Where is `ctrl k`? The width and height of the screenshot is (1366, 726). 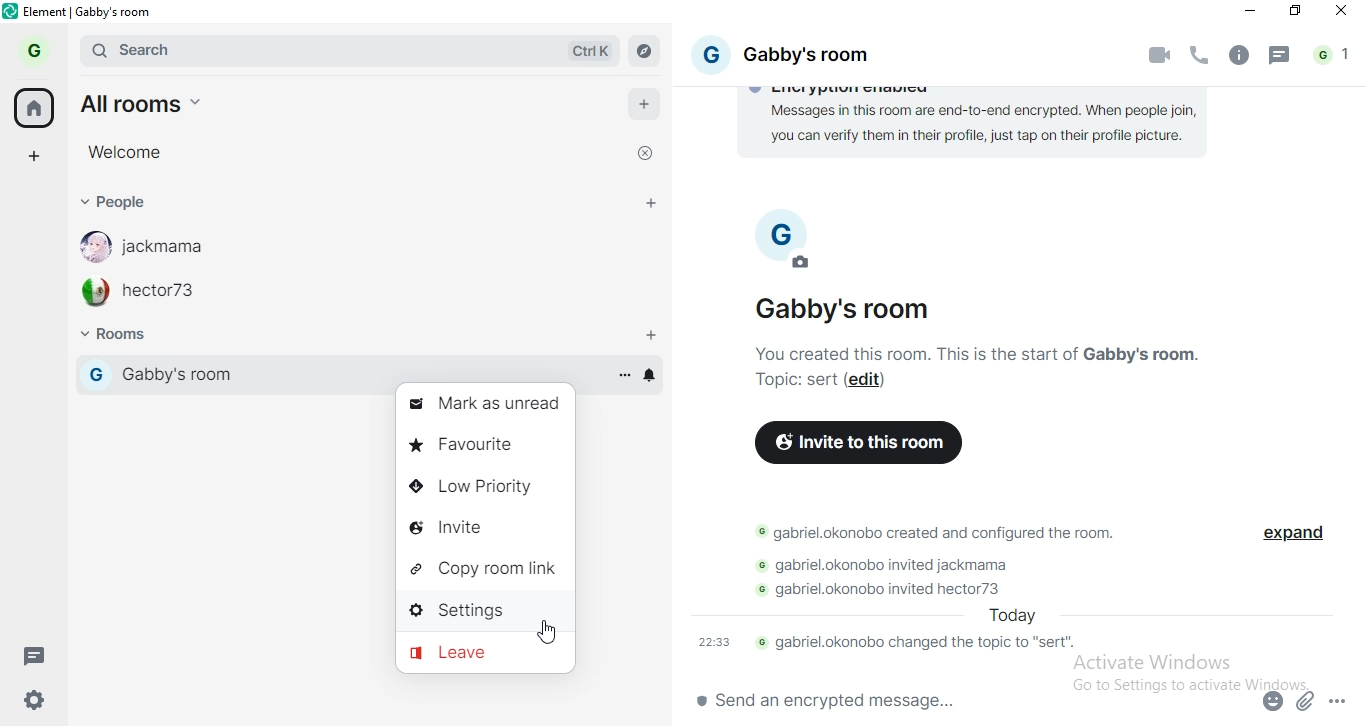 ctrl k is located at coordinates (593, 51).